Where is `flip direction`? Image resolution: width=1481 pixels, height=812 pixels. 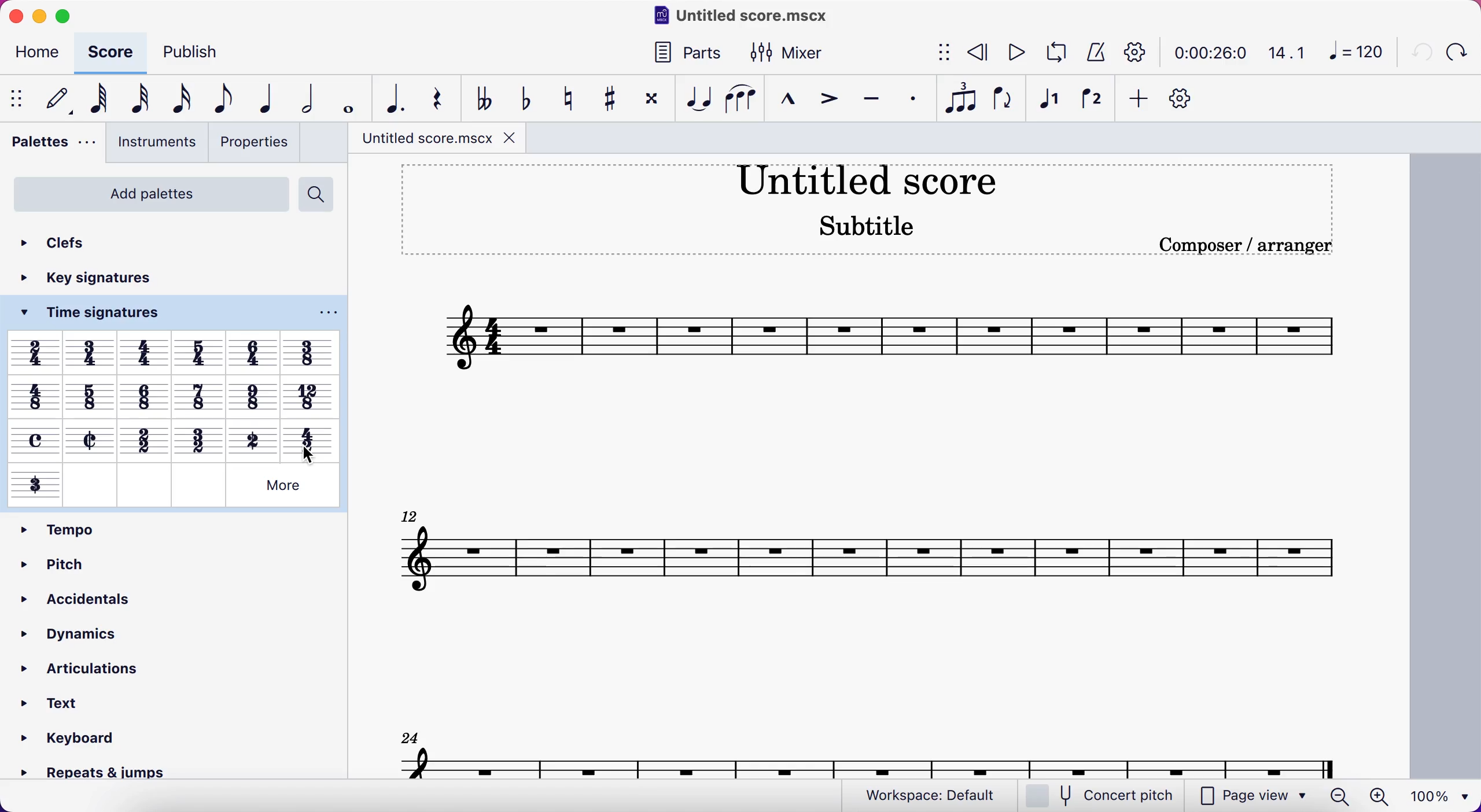 flip direction is located at coordinates (1001, 98).